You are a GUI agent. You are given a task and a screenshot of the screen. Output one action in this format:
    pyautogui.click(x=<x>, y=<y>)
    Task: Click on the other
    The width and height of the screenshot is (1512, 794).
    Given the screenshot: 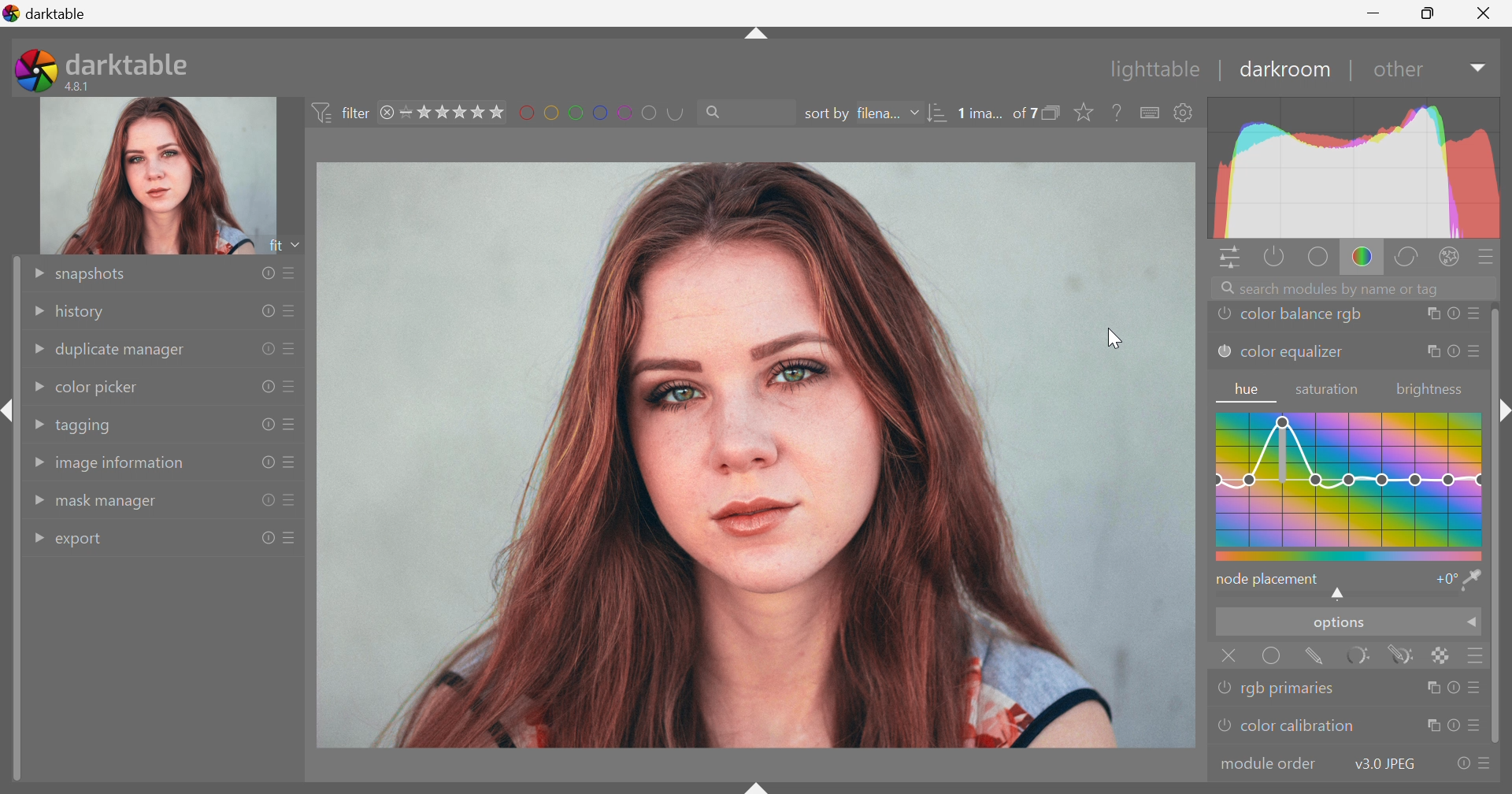 What is the action you would take?
    pyautogui.click(x=1397, y=72)
    